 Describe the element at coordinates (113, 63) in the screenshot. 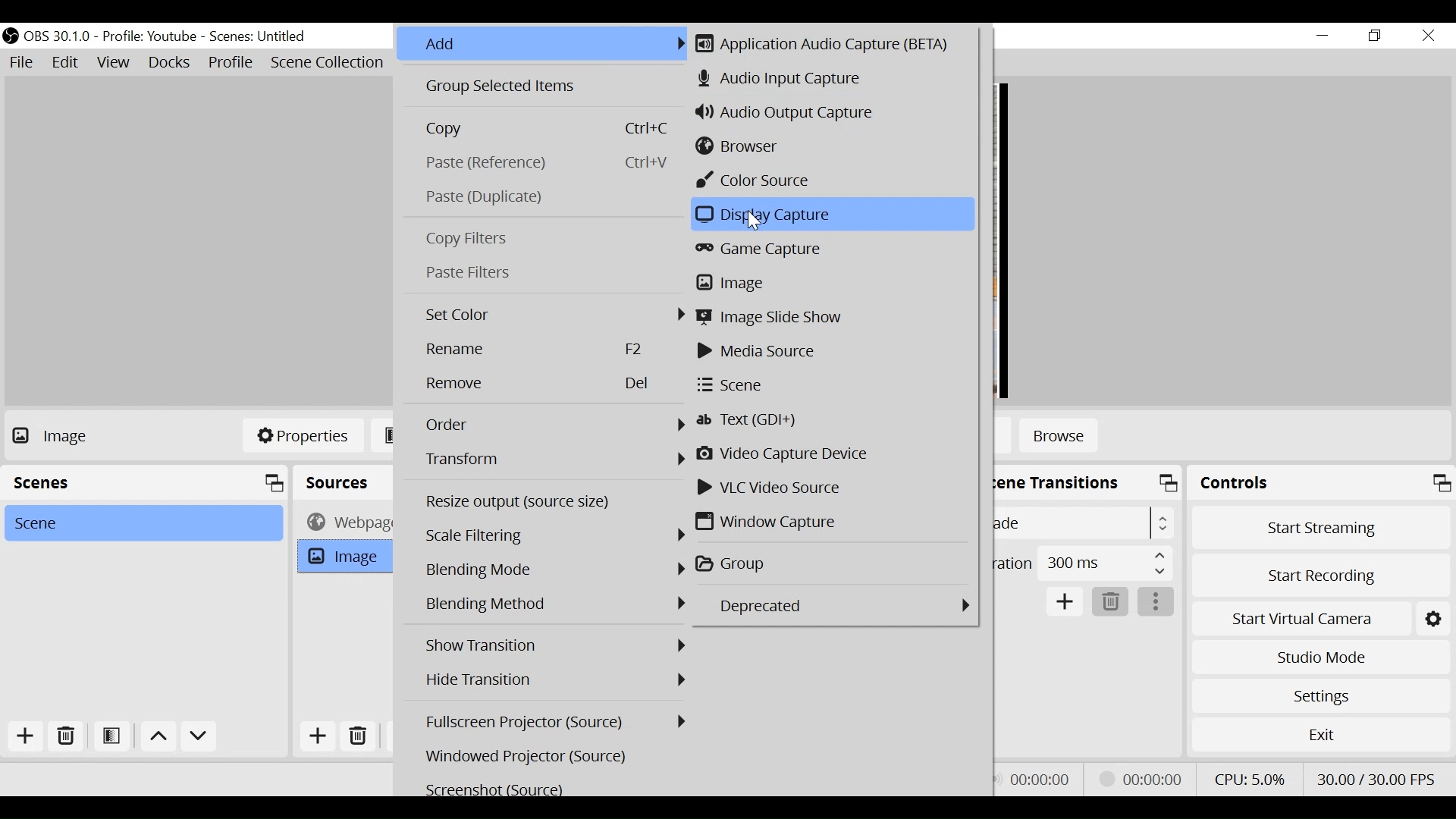

I see `View` at that location.